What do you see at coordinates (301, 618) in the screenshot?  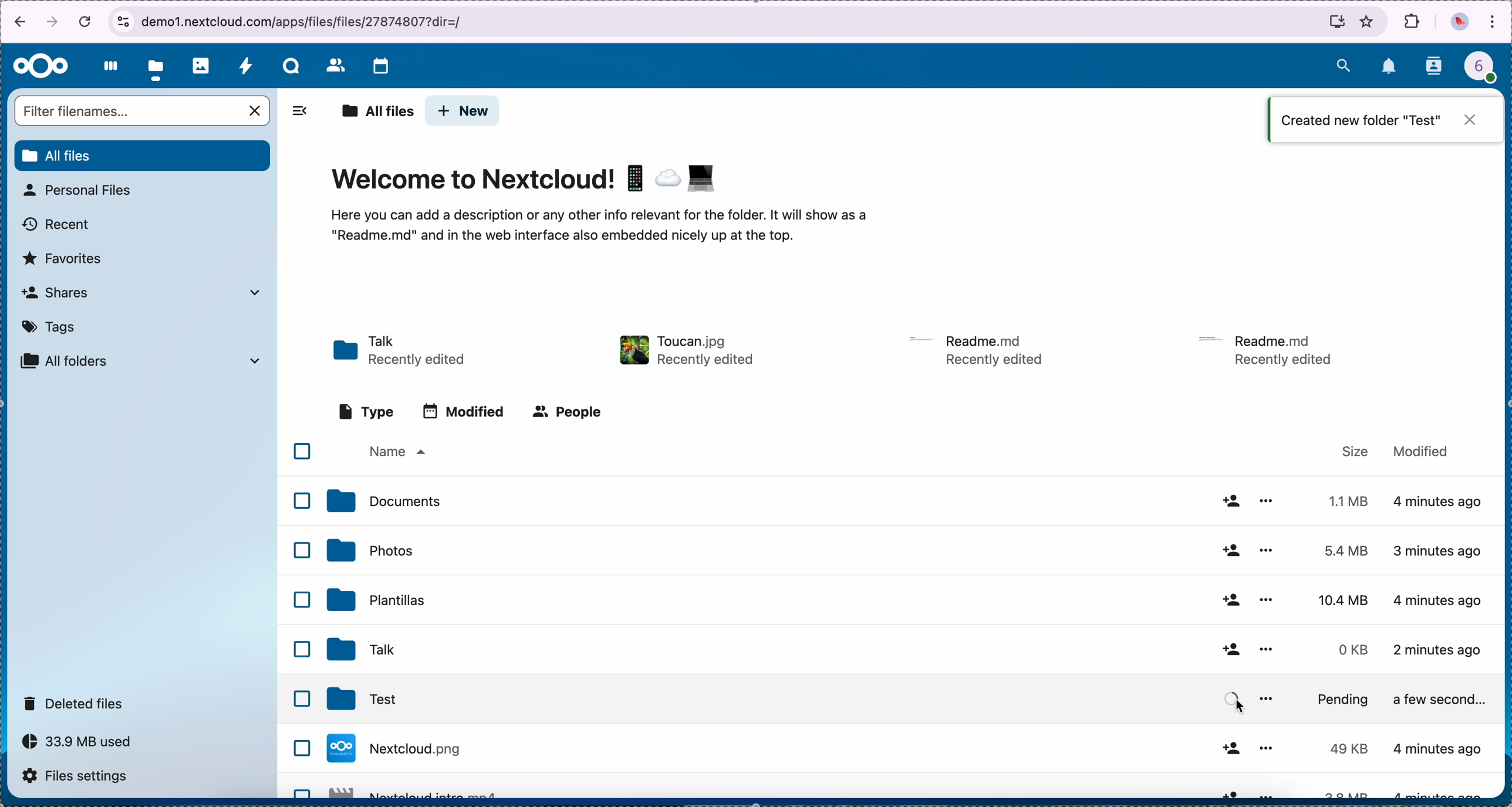 I see `checkboxes` at bounding box center [301, 618].